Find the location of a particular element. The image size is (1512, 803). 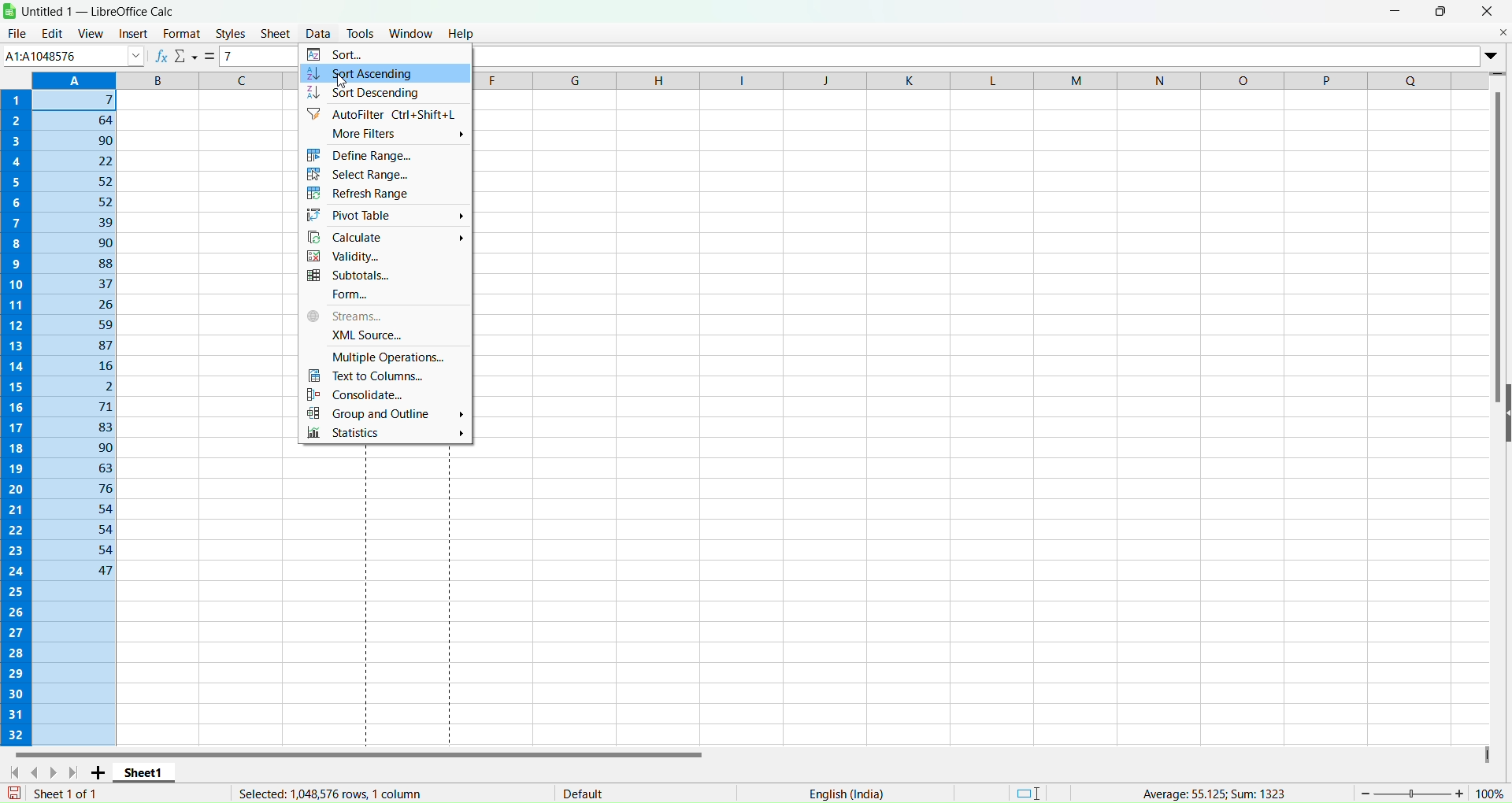

Title is located at coordinates (102, 11).